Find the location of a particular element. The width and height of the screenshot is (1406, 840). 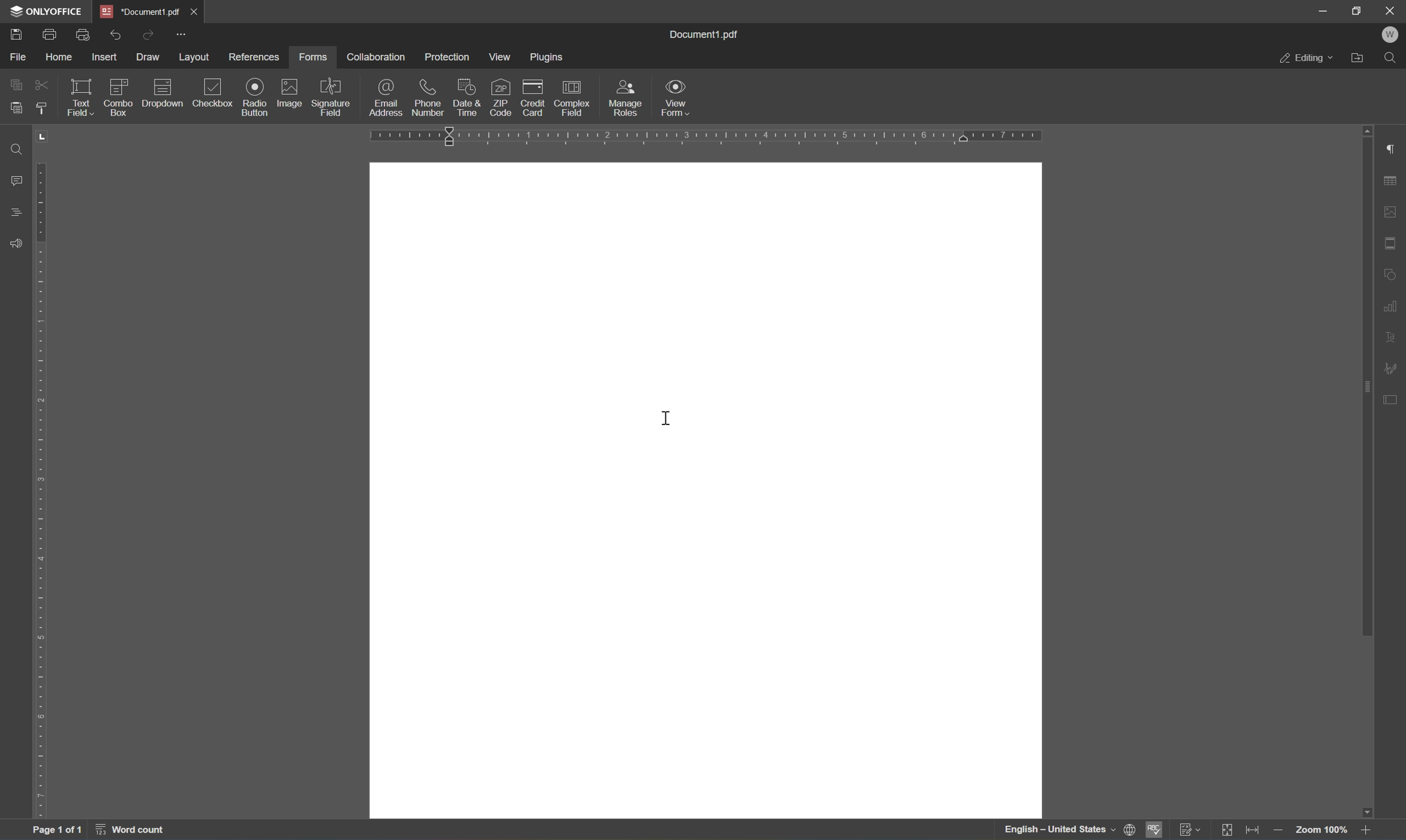

chart settings is located at coordinates (1394, 305).